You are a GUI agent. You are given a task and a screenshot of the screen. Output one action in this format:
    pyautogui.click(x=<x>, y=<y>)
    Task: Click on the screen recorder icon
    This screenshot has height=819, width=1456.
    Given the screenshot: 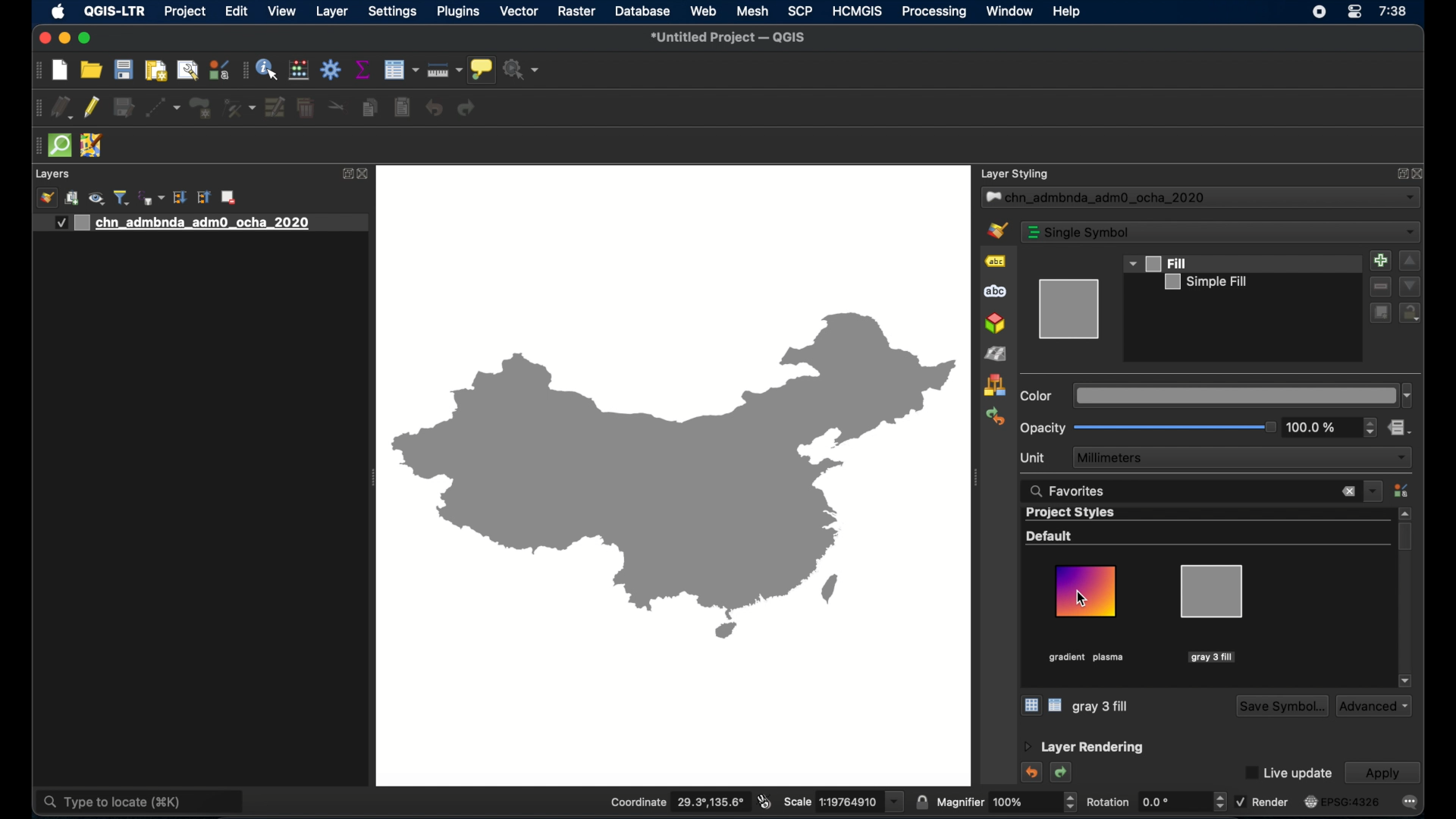 What is the action you would take?
    pyautogui.click(x=1319, y=12)
    